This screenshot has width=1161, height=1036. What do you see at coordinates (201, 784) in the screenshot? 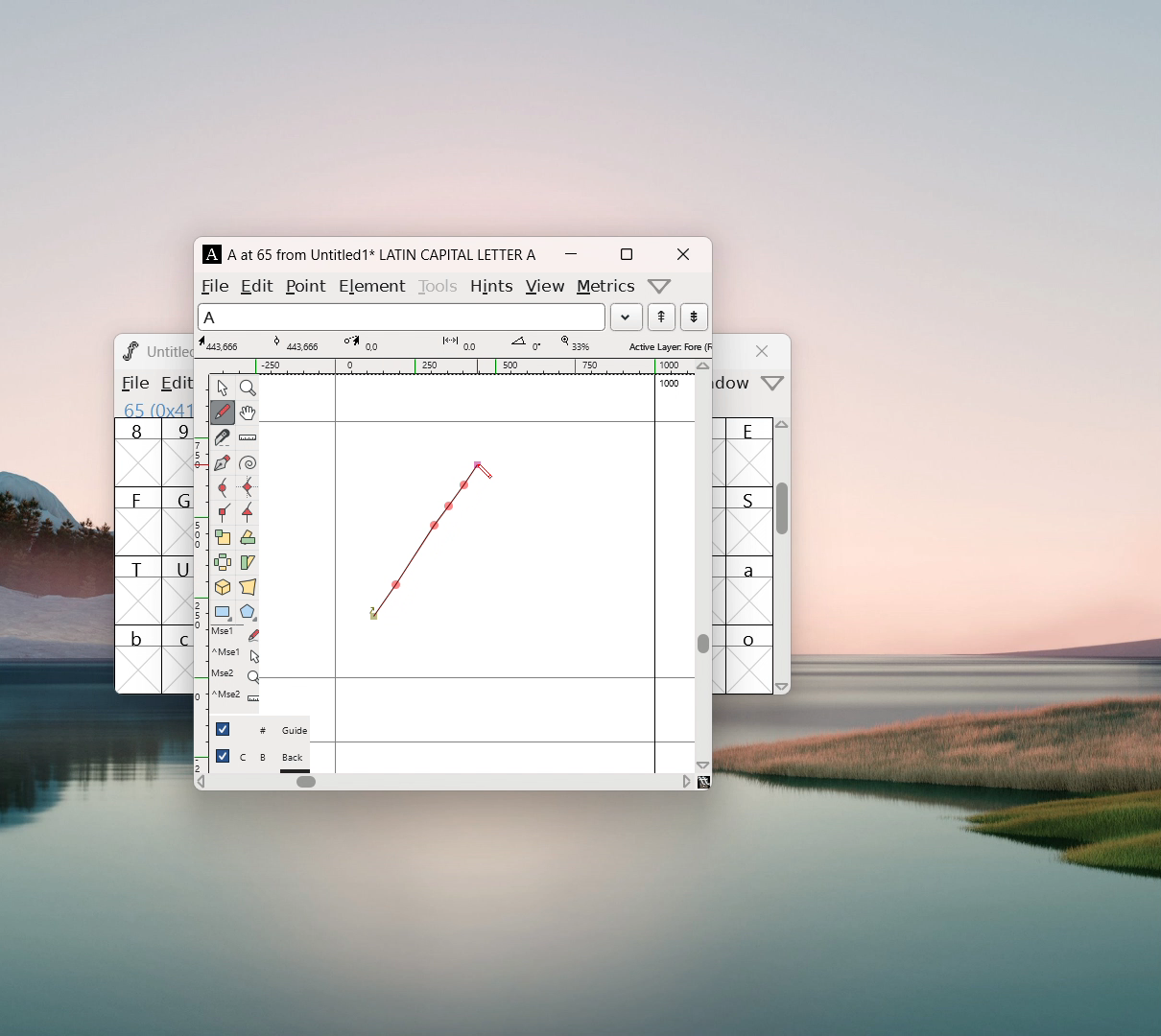
I see `scroll left` at bounding box center [201, 784].